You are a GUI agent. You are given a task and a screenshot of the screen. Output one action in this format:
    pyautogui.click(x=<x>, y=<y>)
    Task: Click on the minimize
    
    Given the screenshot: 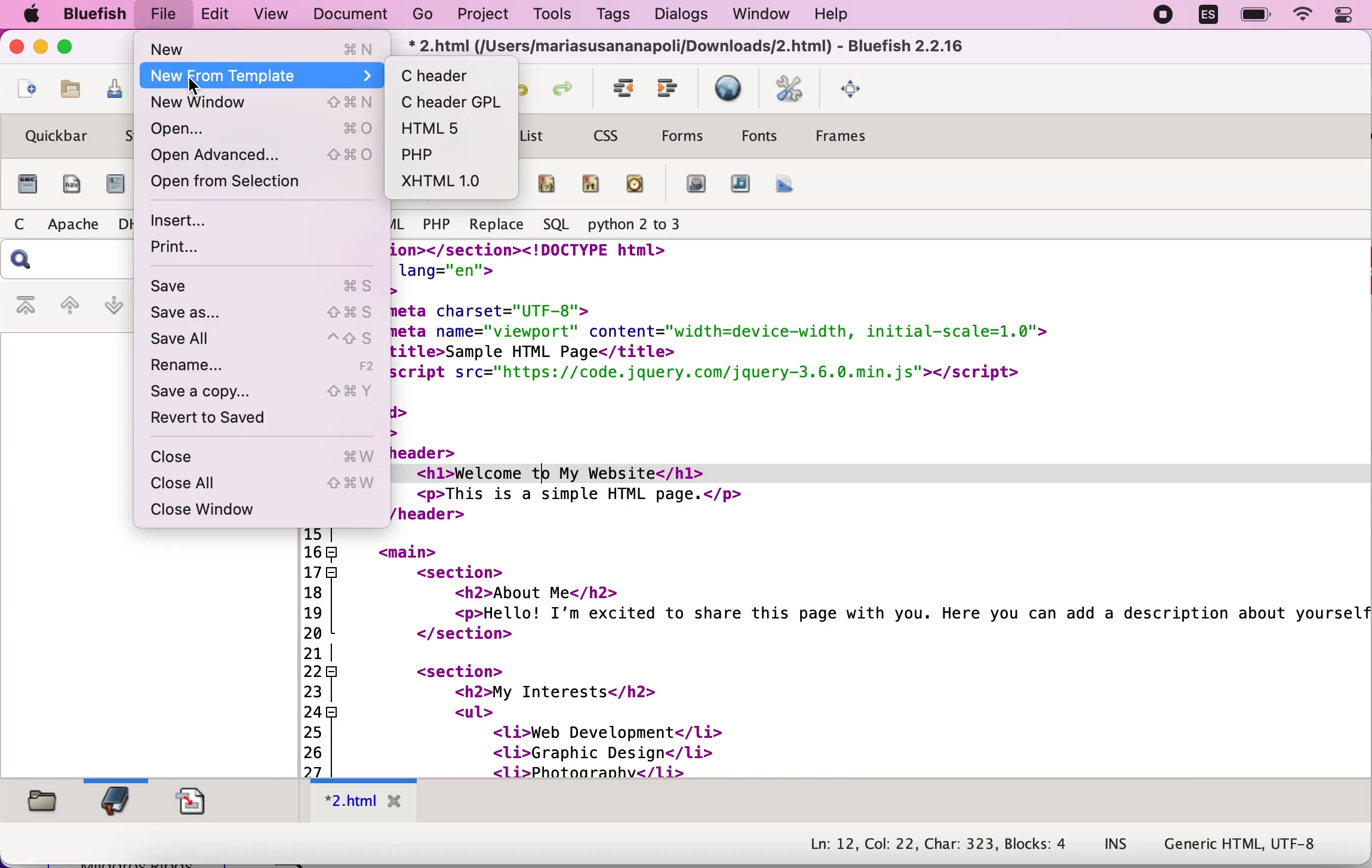 What is the action you would take?
    pyautogui.click(x=42, y=47)
    